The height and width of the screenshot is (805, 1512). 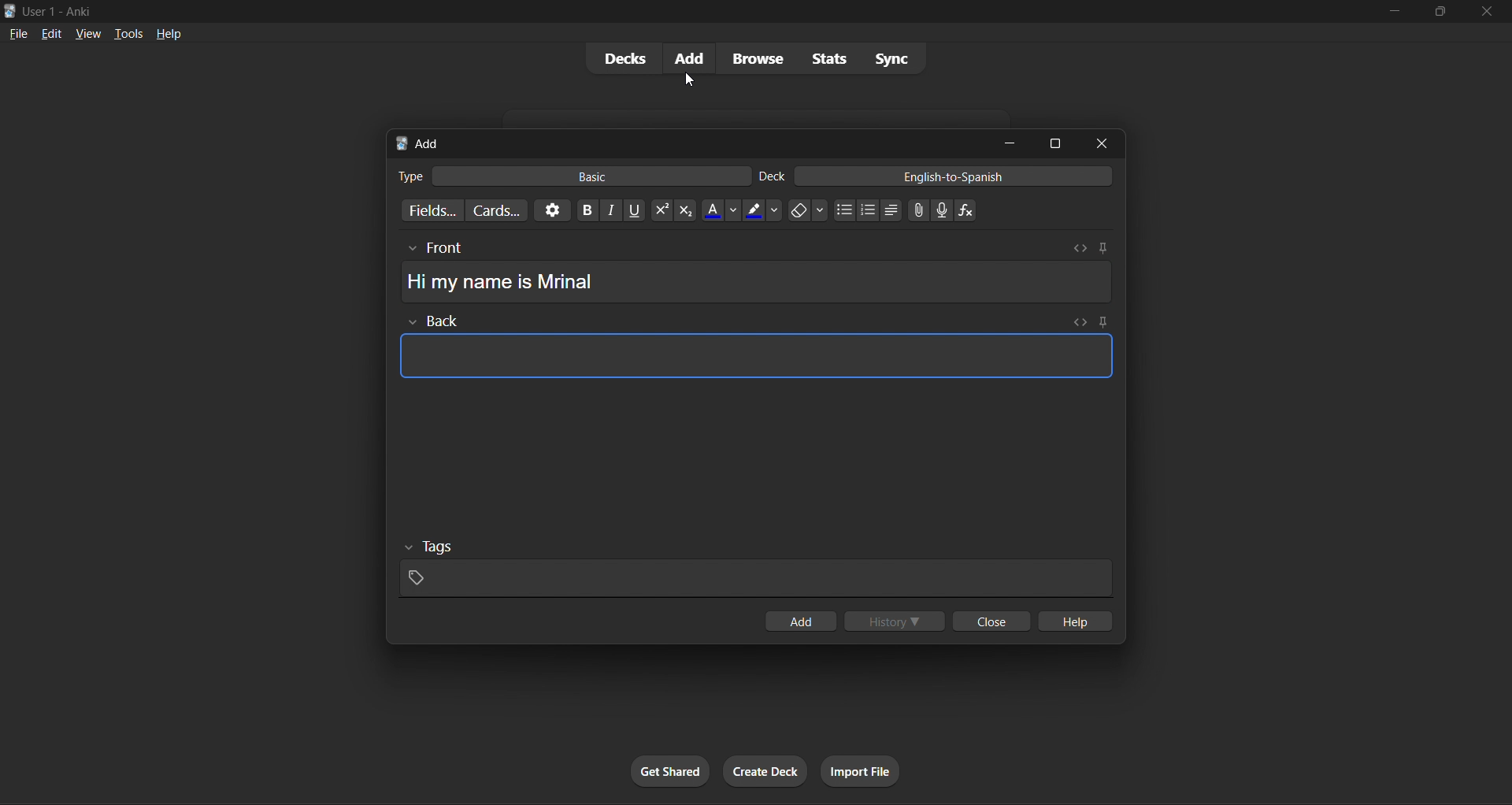 What do you see at coordinates (120, 33) in the screenshot?
I see `tools` at bounding box center [120, 33].